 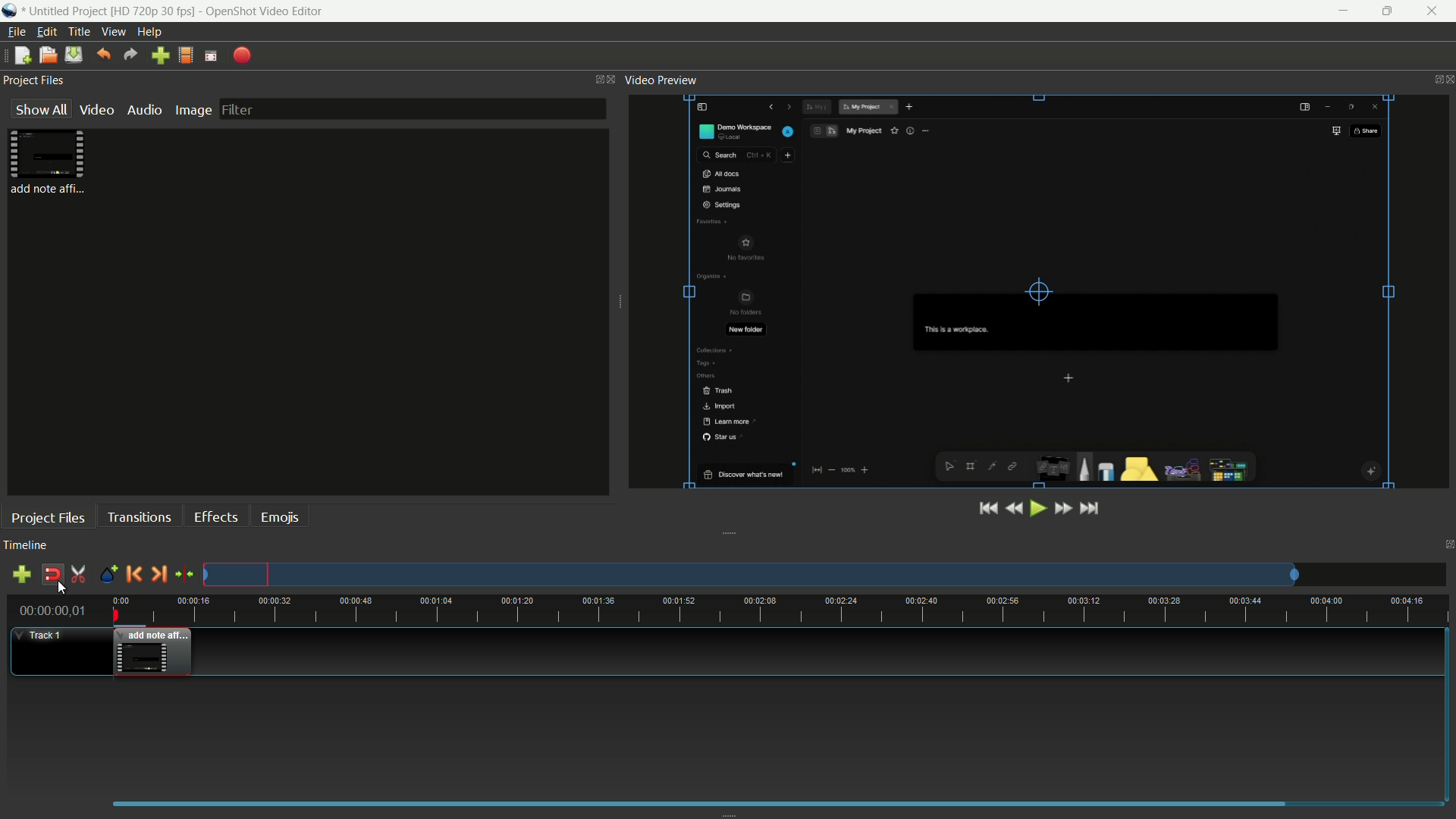 I want to click on video preview, so click(x=1037, y=292).